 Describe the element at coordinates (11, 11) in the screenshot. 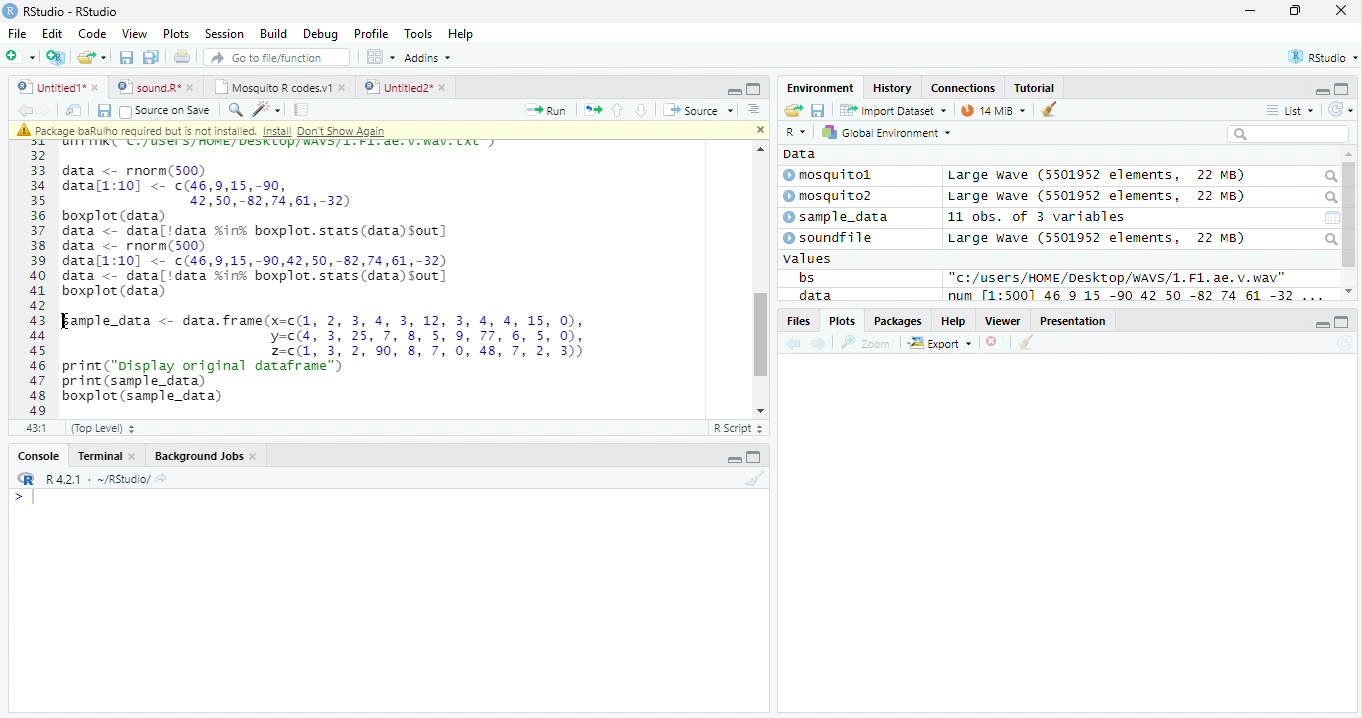

I see `Logo` at that location.